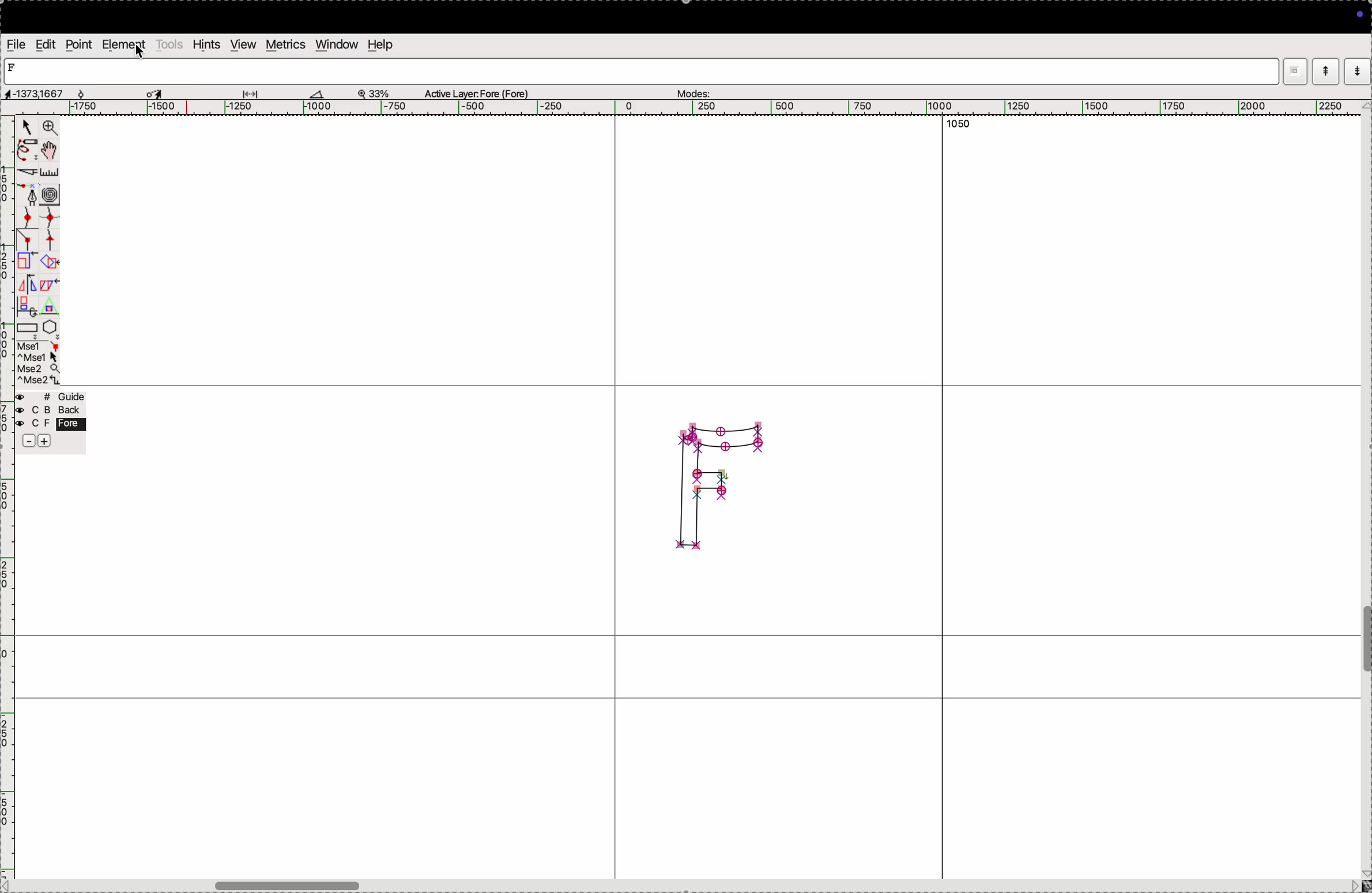 The width and height of the screenshot is (1372, 893). I want to click on line, so click(29, 242).